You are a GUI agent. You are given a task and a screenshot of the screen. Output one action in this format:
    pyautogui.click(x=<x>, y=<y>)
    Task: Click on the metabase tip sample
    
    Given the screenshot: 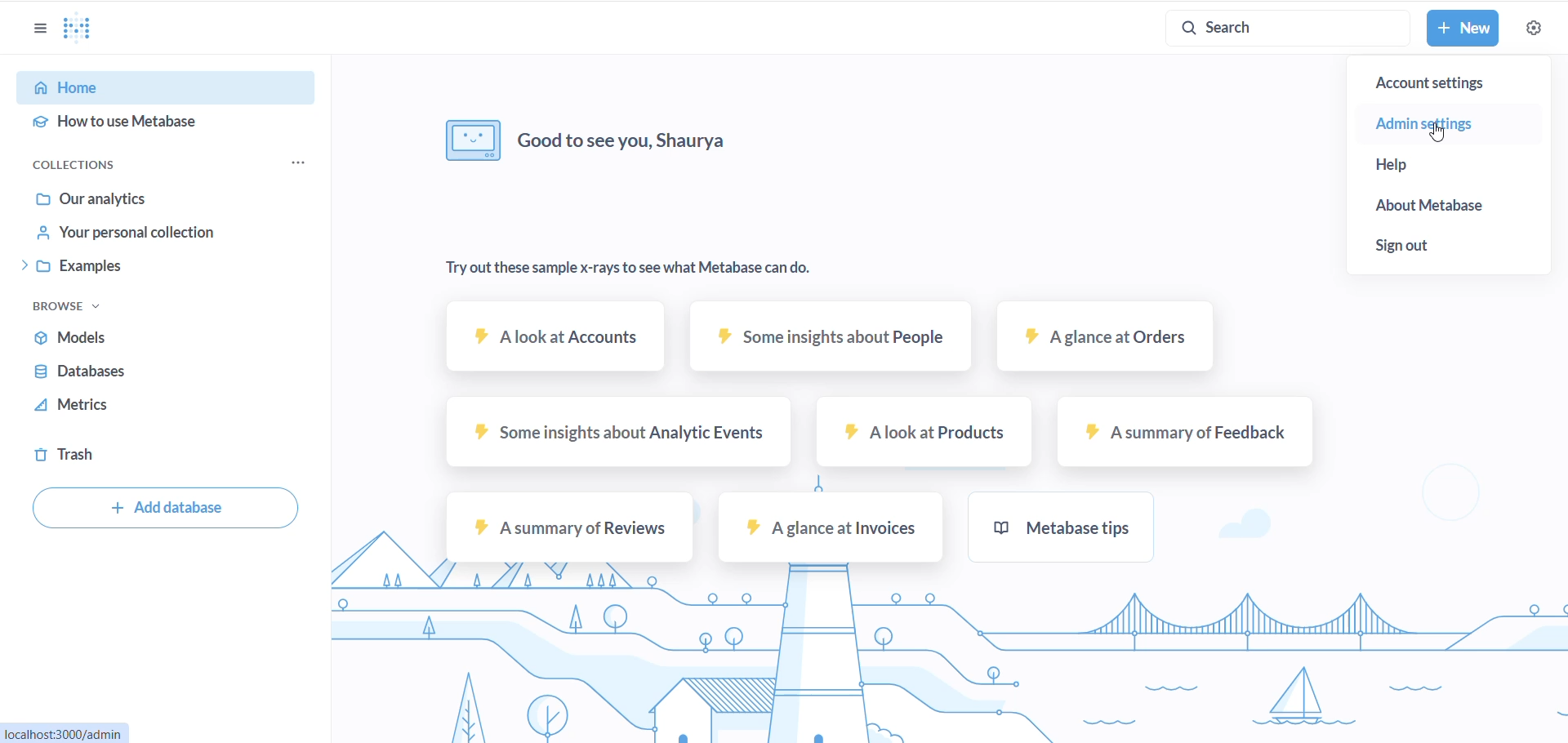 What is the action you would take?
    pyautogui.click(x=1054, y=527)
    